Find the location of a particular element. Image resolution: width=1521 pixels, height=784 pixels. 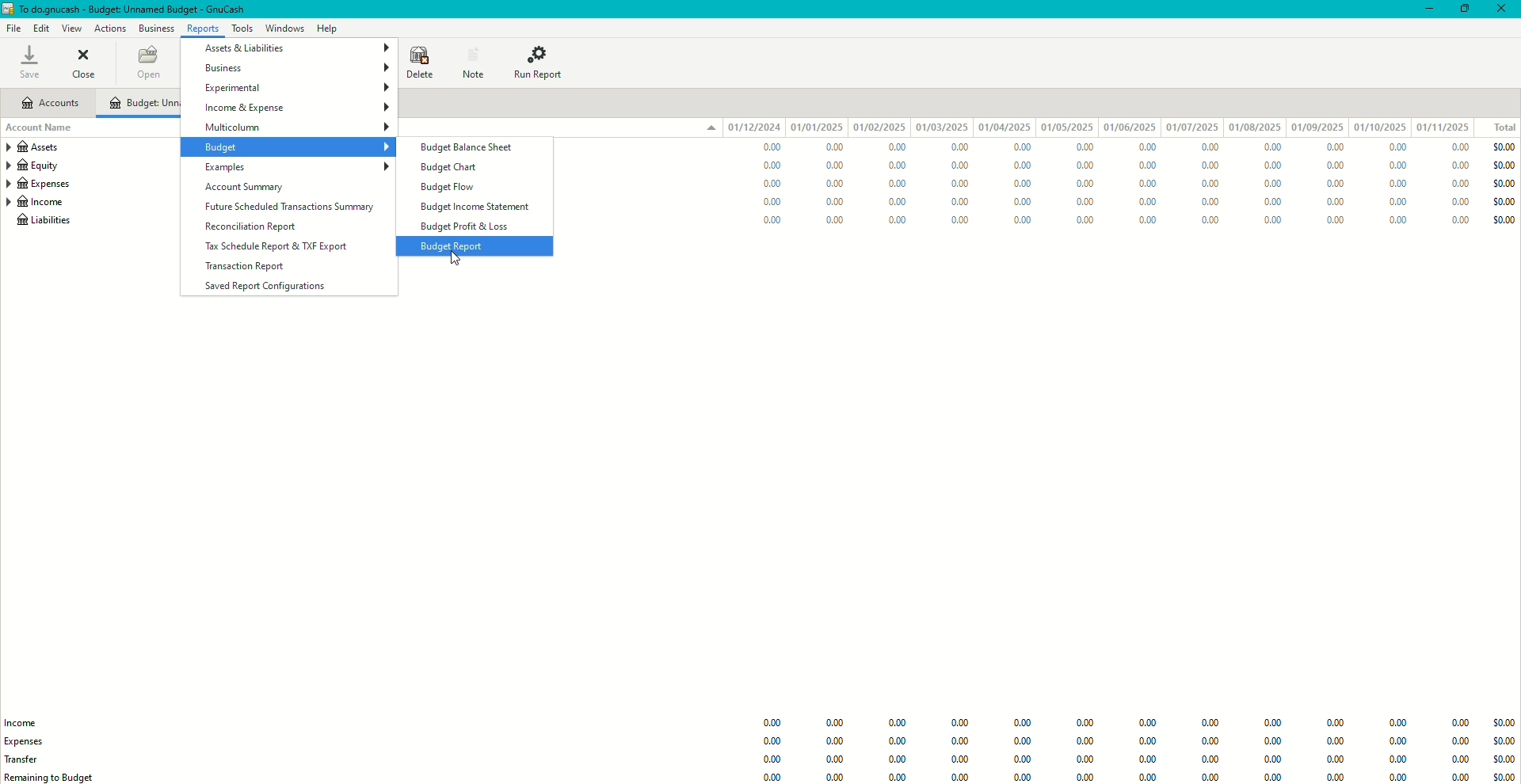

0.00 is located at coordinates (1024, 759).